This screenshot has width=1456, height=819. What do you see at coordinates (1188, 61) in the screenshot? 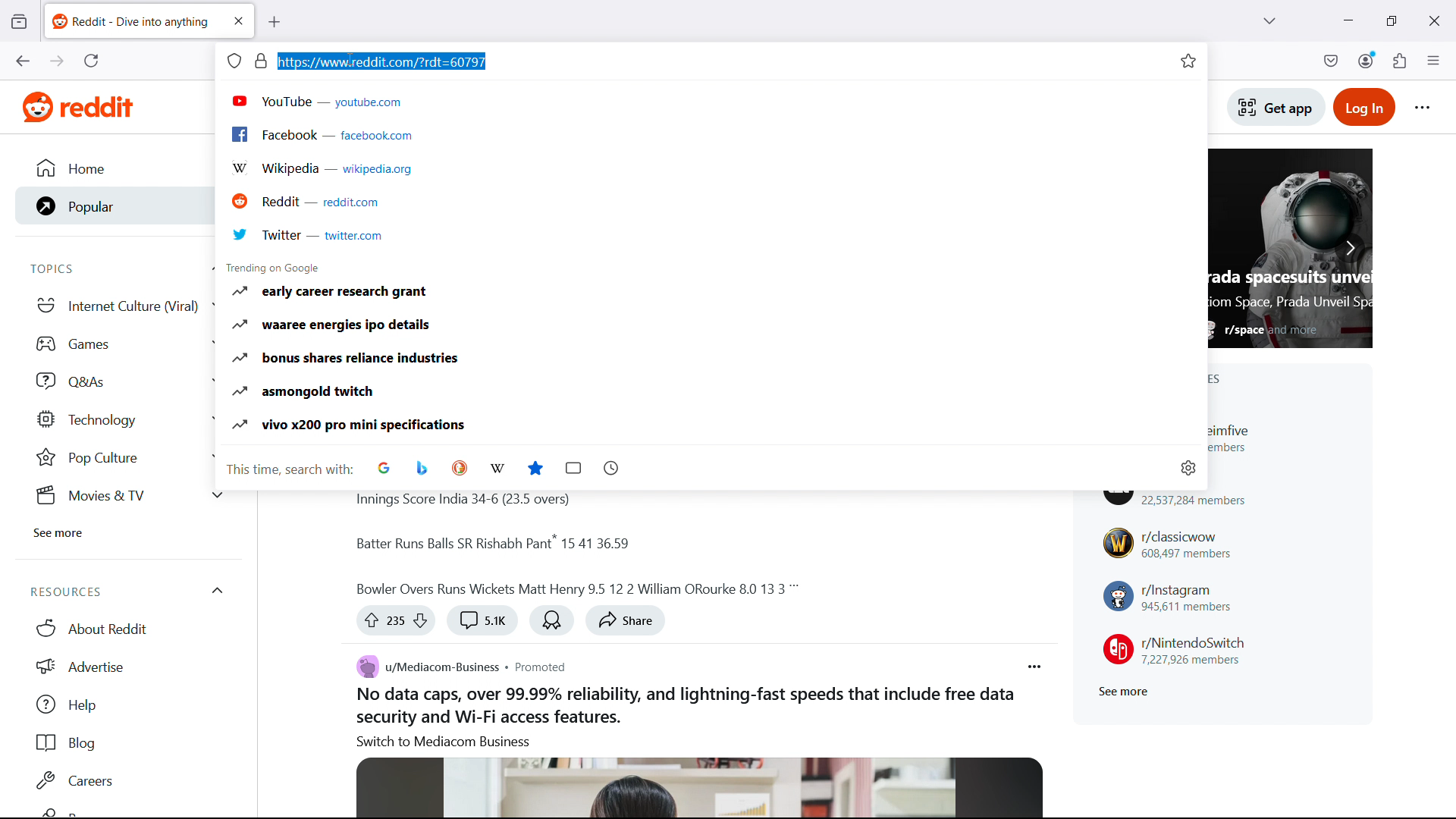
I see `bookmark this tab` at bounding box center [1188, 61].